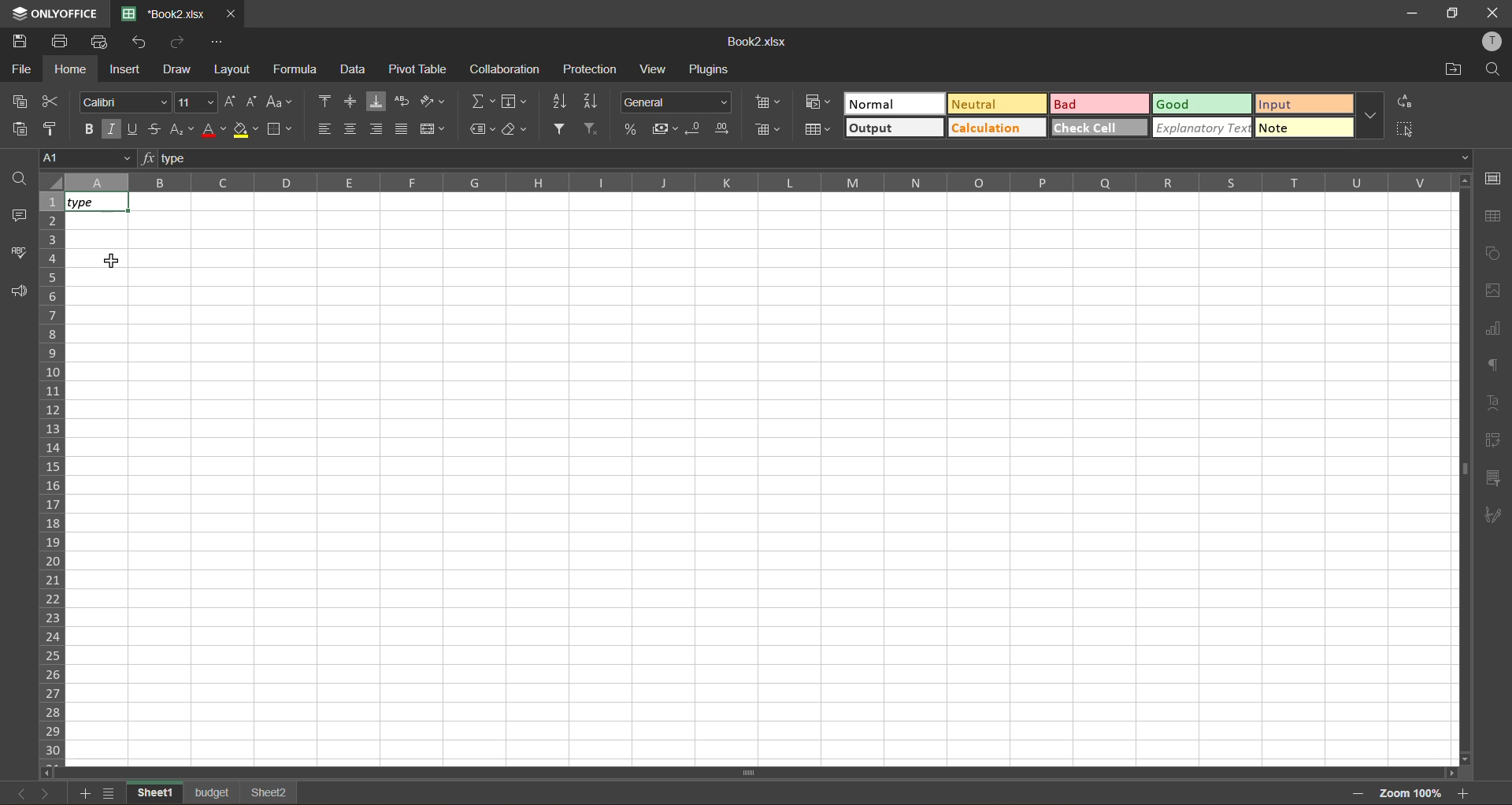 Image resolution: width=1512 pixels, height=805 pixels. I want to click on accounting, so click(665, 129).